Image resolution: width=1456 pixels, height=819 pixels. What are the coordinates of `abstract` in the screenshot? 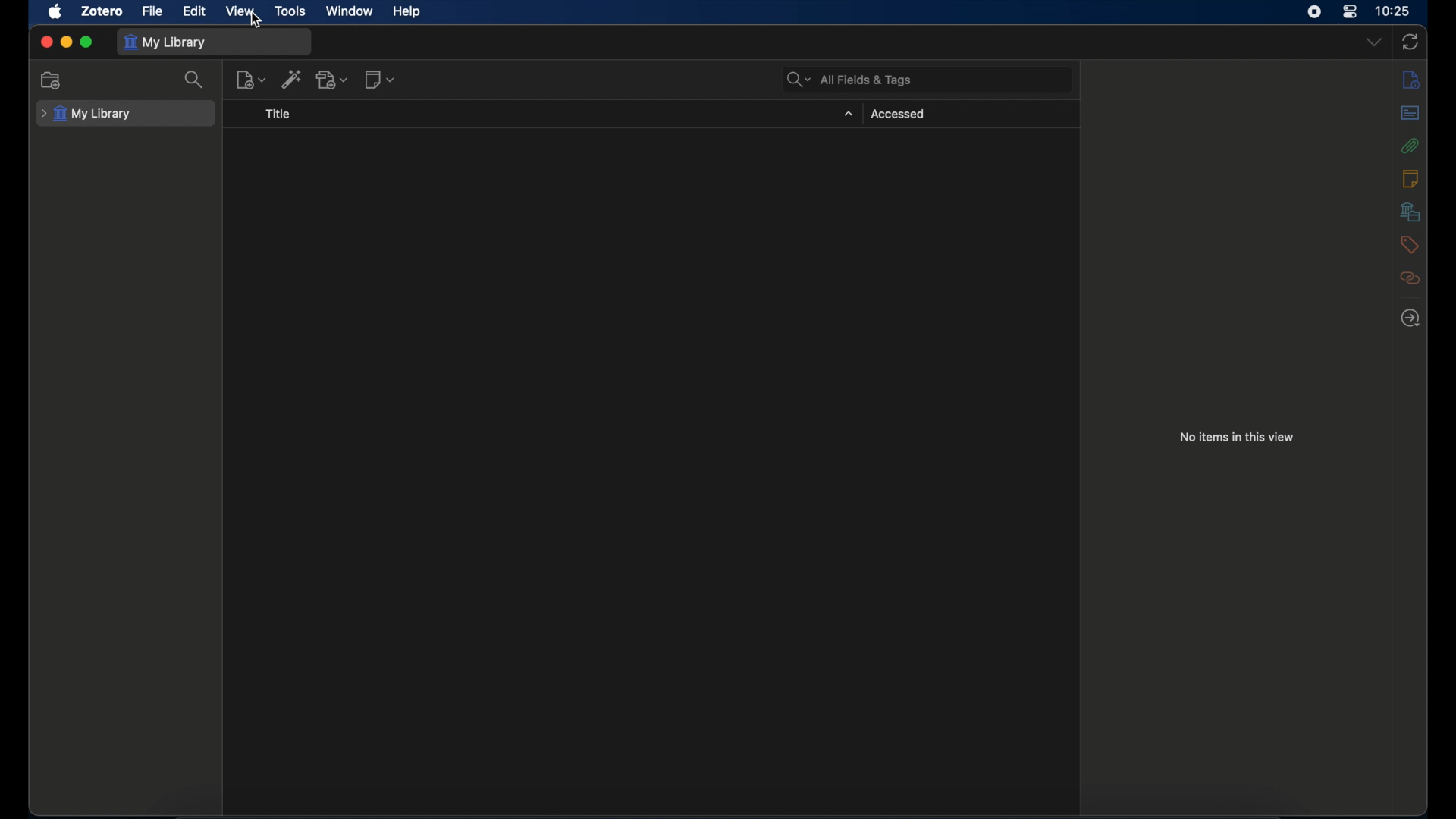 It's located at (1411, 113).